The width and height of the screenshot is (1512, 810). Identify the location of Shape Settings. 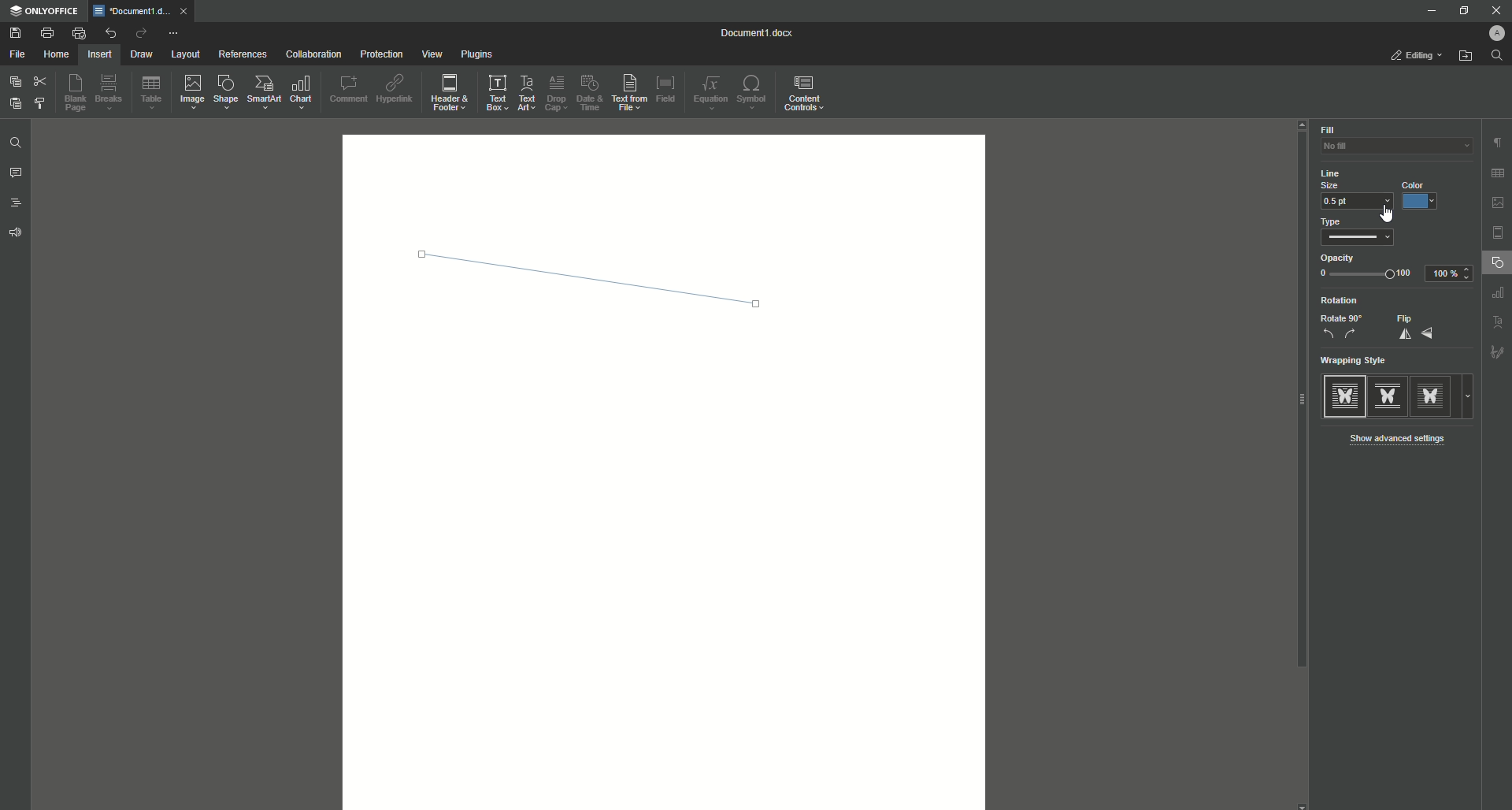
(1496, 265).